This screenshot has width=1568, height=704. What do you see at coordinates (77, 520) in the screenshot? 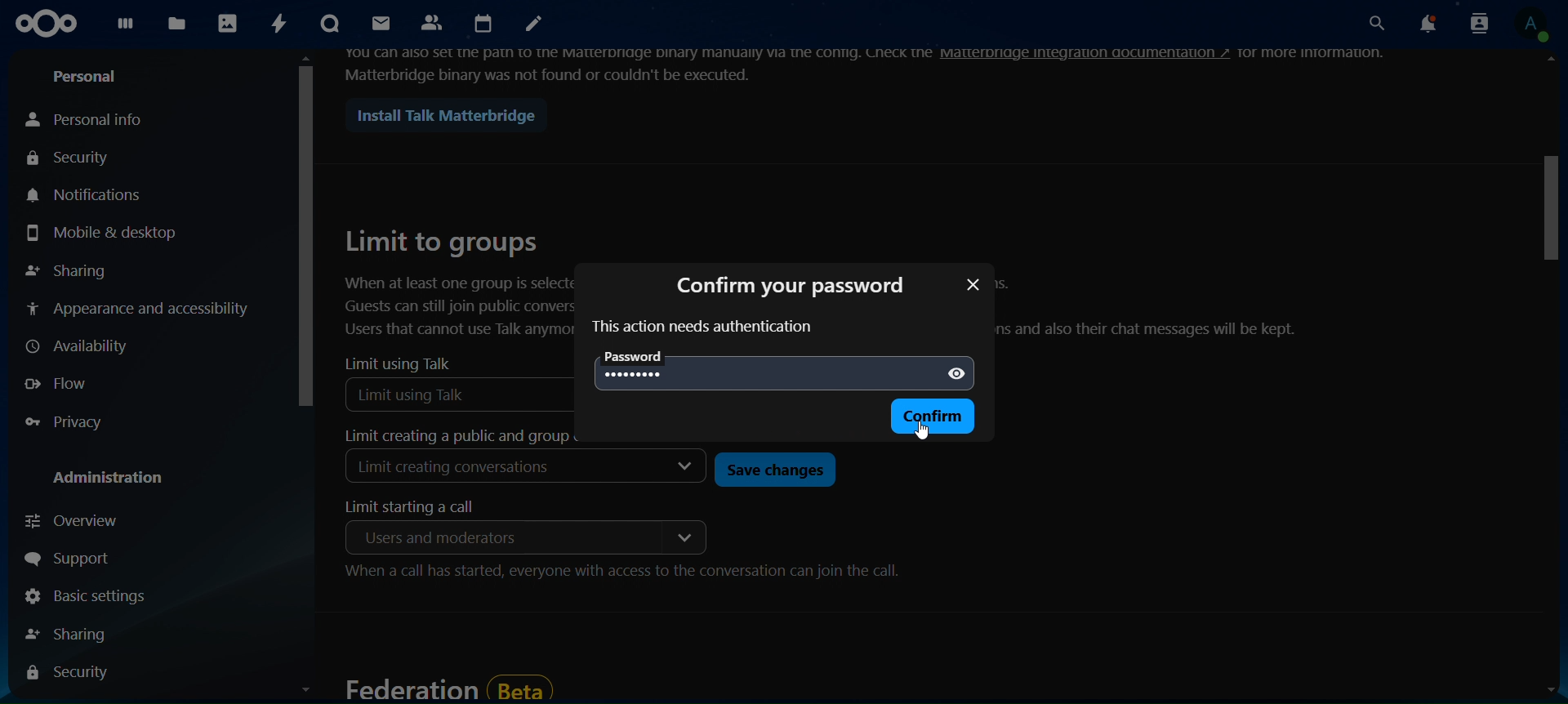
I see `overview` at bounding box center [77, 520].